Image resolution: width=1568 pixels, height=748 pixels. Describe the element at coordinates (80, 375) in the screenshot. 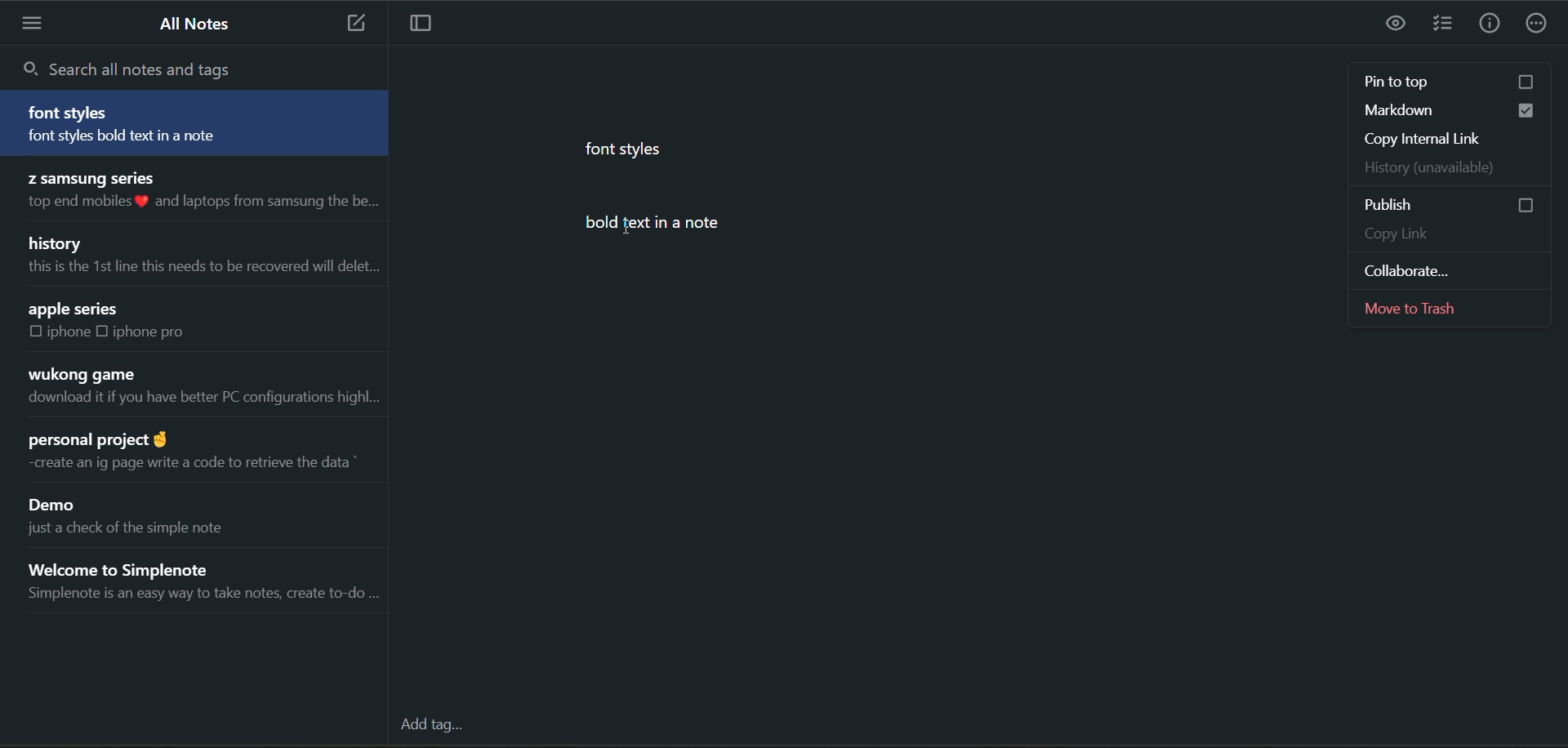

I see `wukong game` at that location.